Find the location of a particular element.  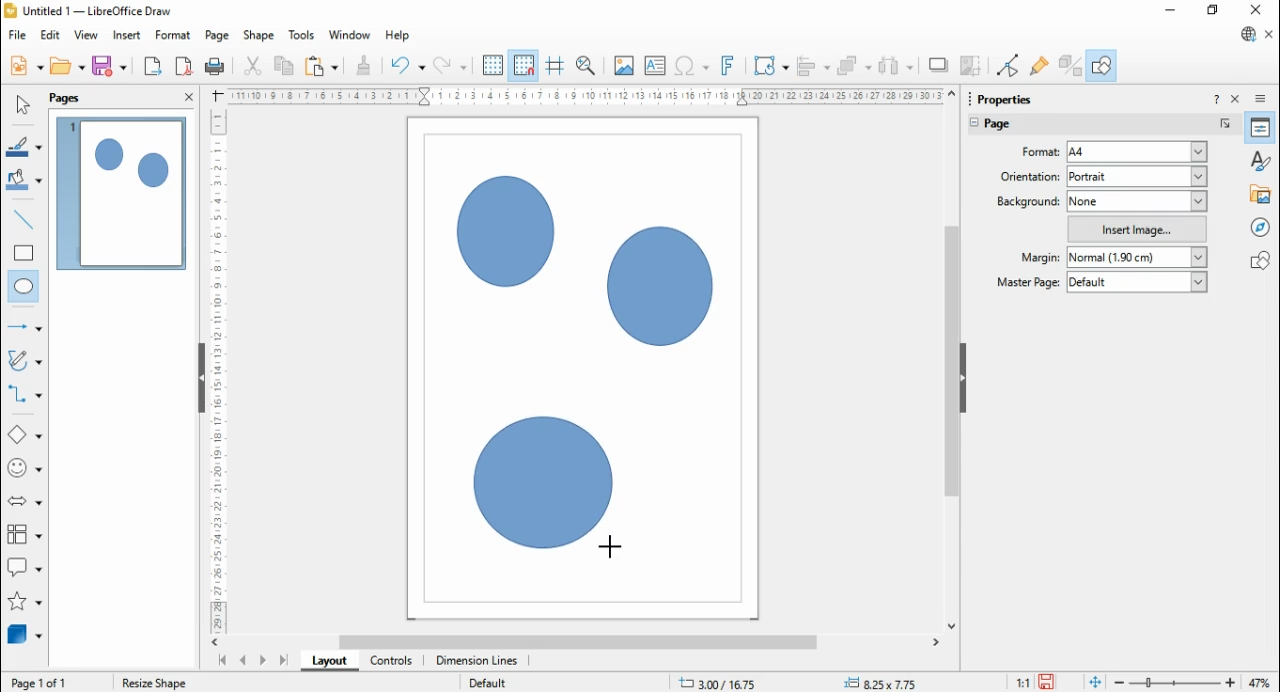

navigator is located at coordinates (1264, 226).